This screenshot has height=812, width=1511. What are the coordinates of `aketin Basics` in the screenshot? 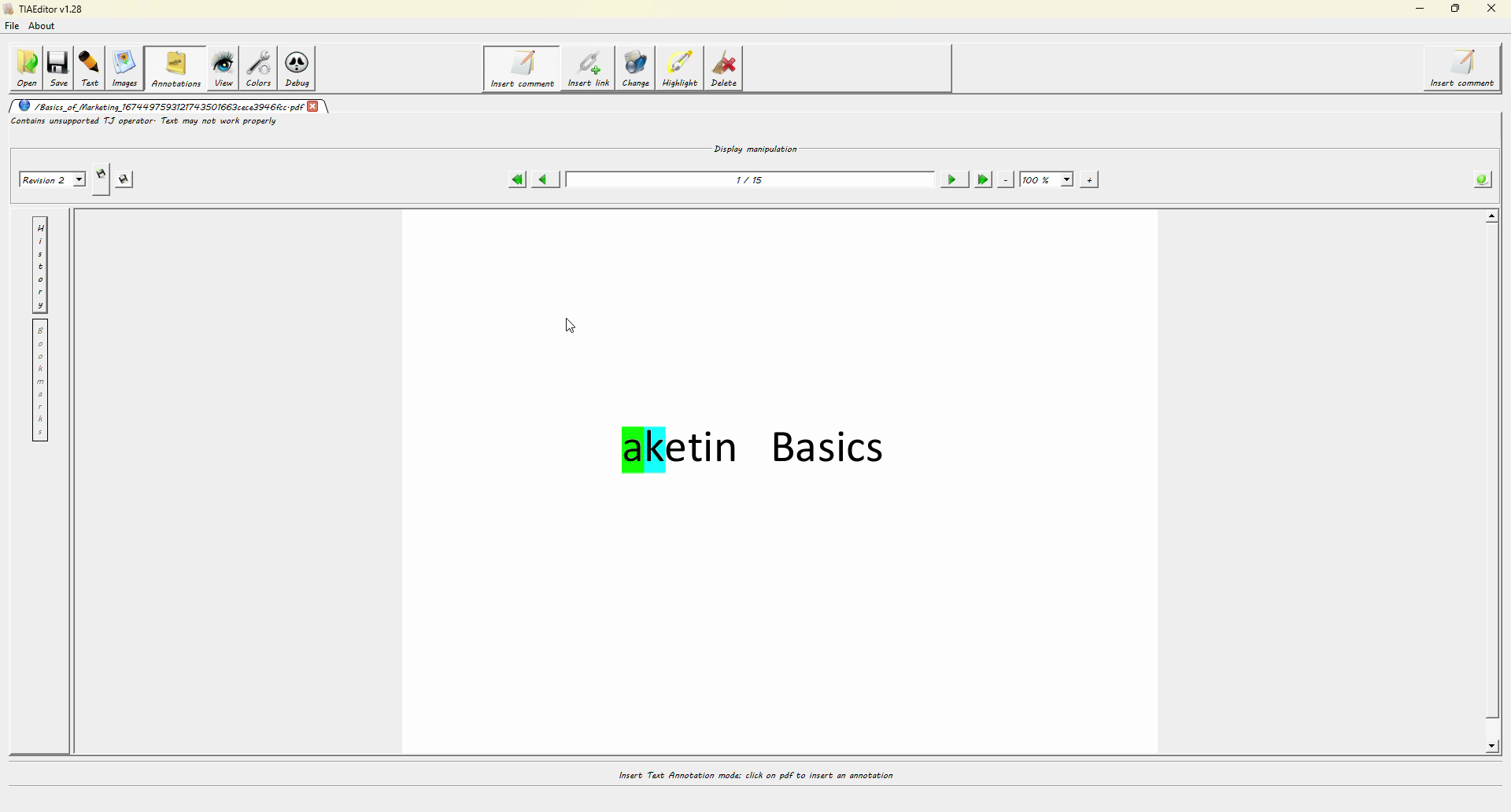 It's located at (758, 454).